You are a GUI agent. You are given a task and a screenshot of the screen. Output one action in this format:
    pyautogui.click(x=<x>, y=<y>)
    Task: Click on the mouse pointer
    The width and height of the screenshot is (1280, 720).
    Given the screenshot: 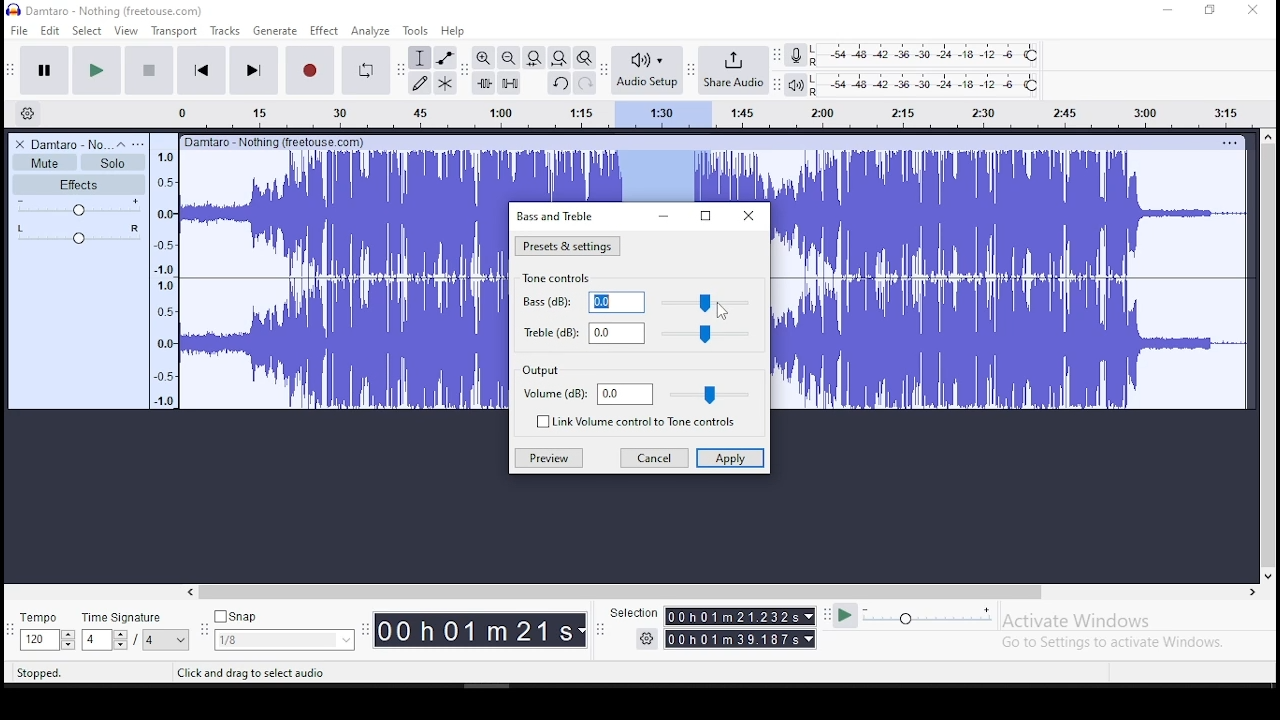 What is the action you would take?
    pyautogui.click(x=720, y=311)
    